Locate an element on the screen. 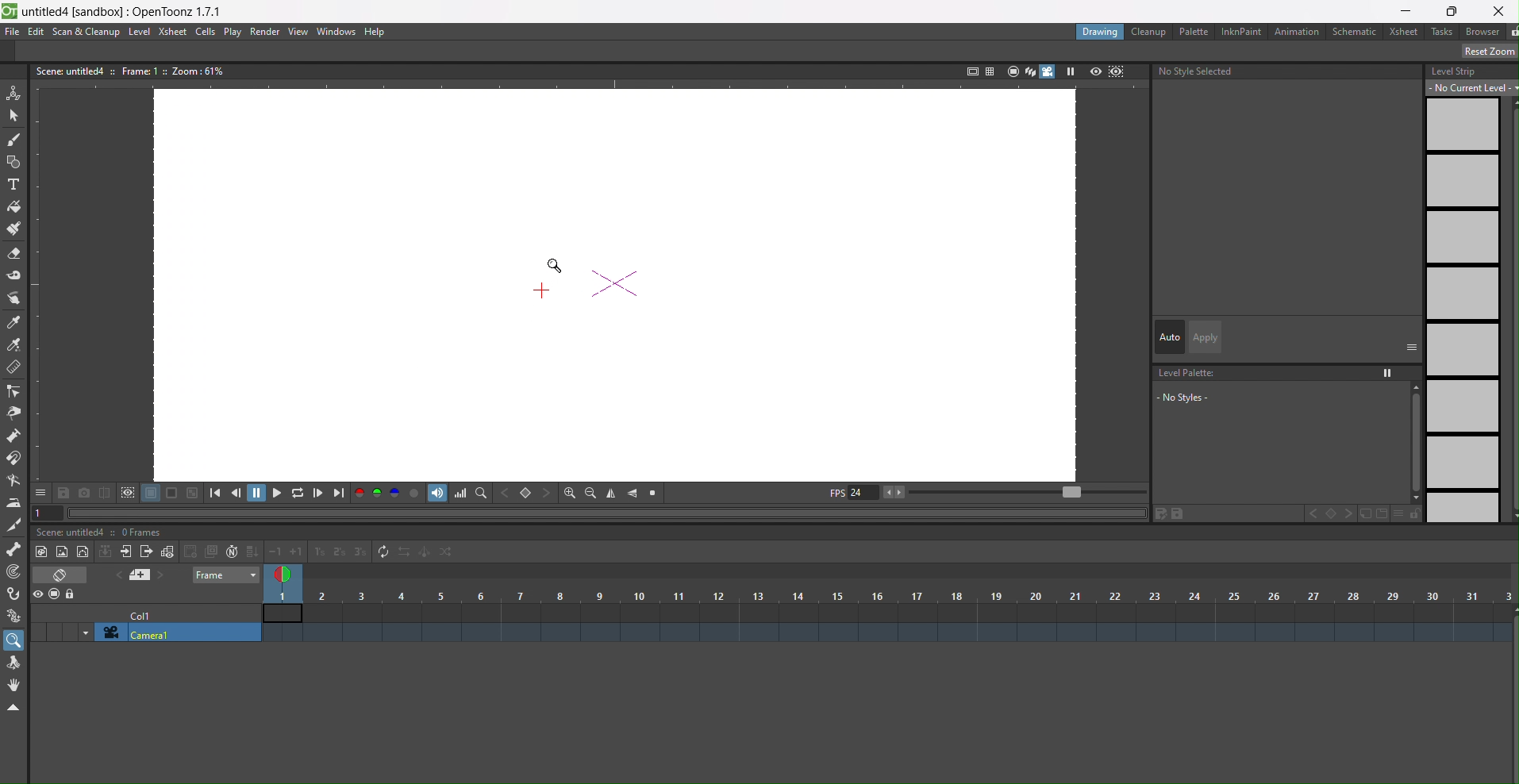  skeleton tool is located at coordinates (15, 551).